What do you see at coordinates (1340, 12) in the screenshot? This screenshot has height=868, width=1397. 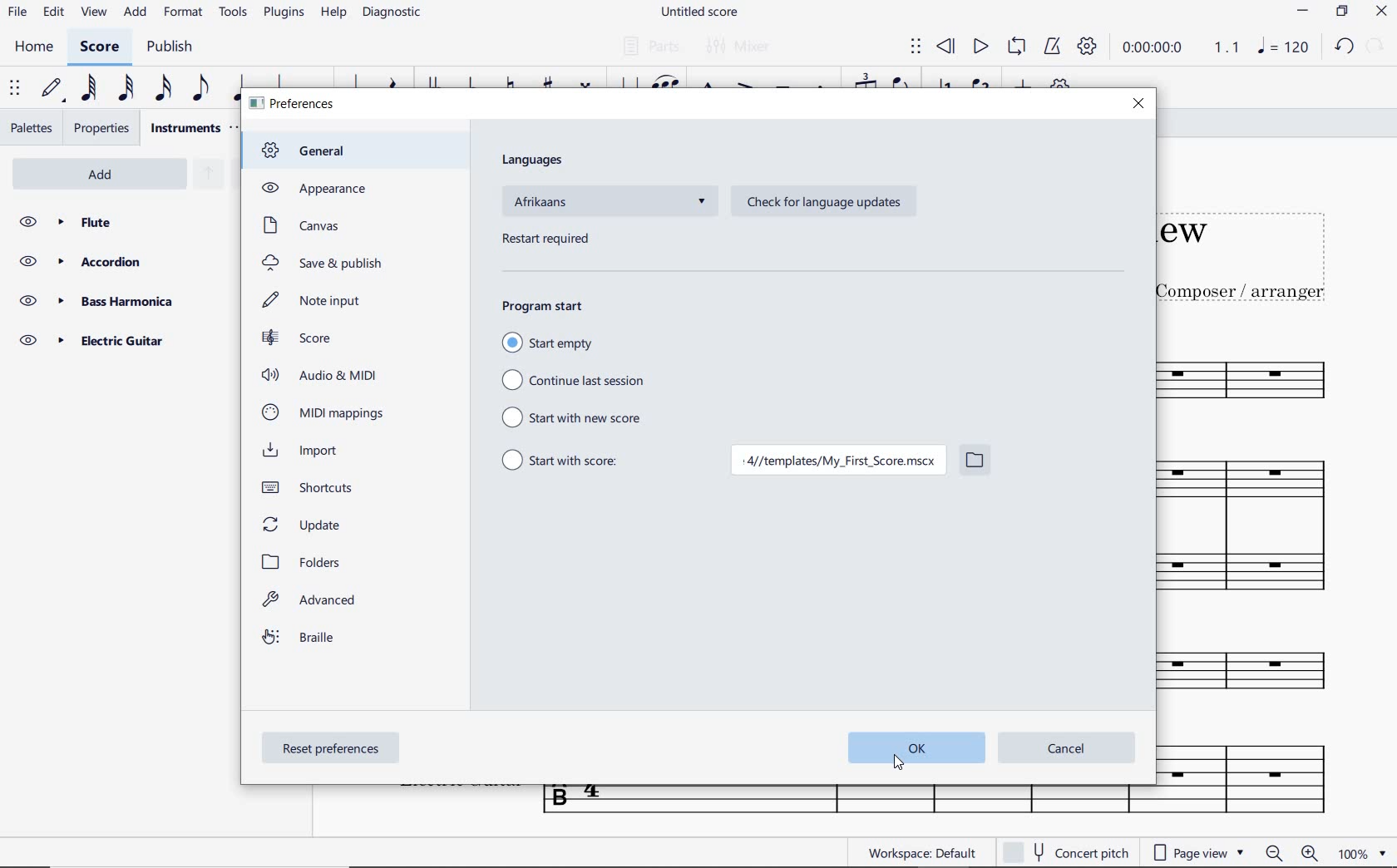 I see `RESTORE DOWN` at bounding box center [1340, 12].